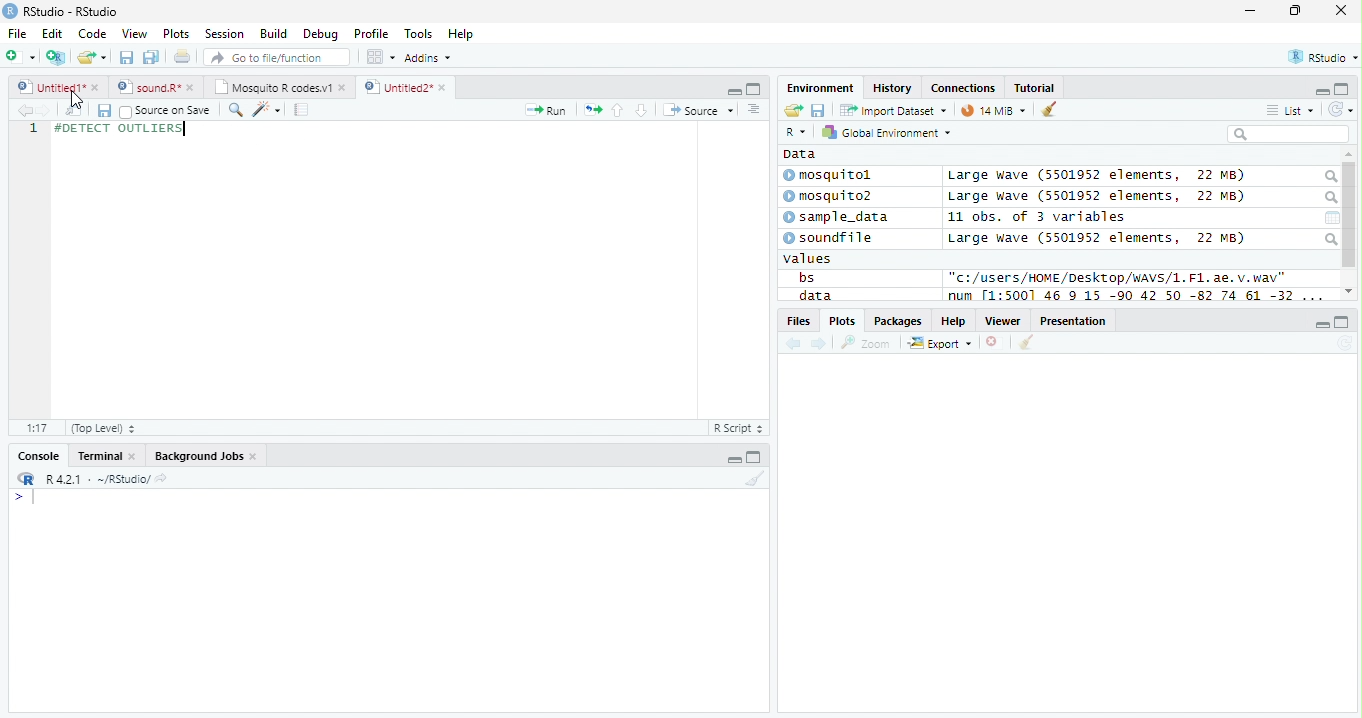 The width and height of the screenshot is (1362, 718). What do you see at coordinates (177, 34) in the screenshot?
I see `Plots` at bounding box center [177, 34].